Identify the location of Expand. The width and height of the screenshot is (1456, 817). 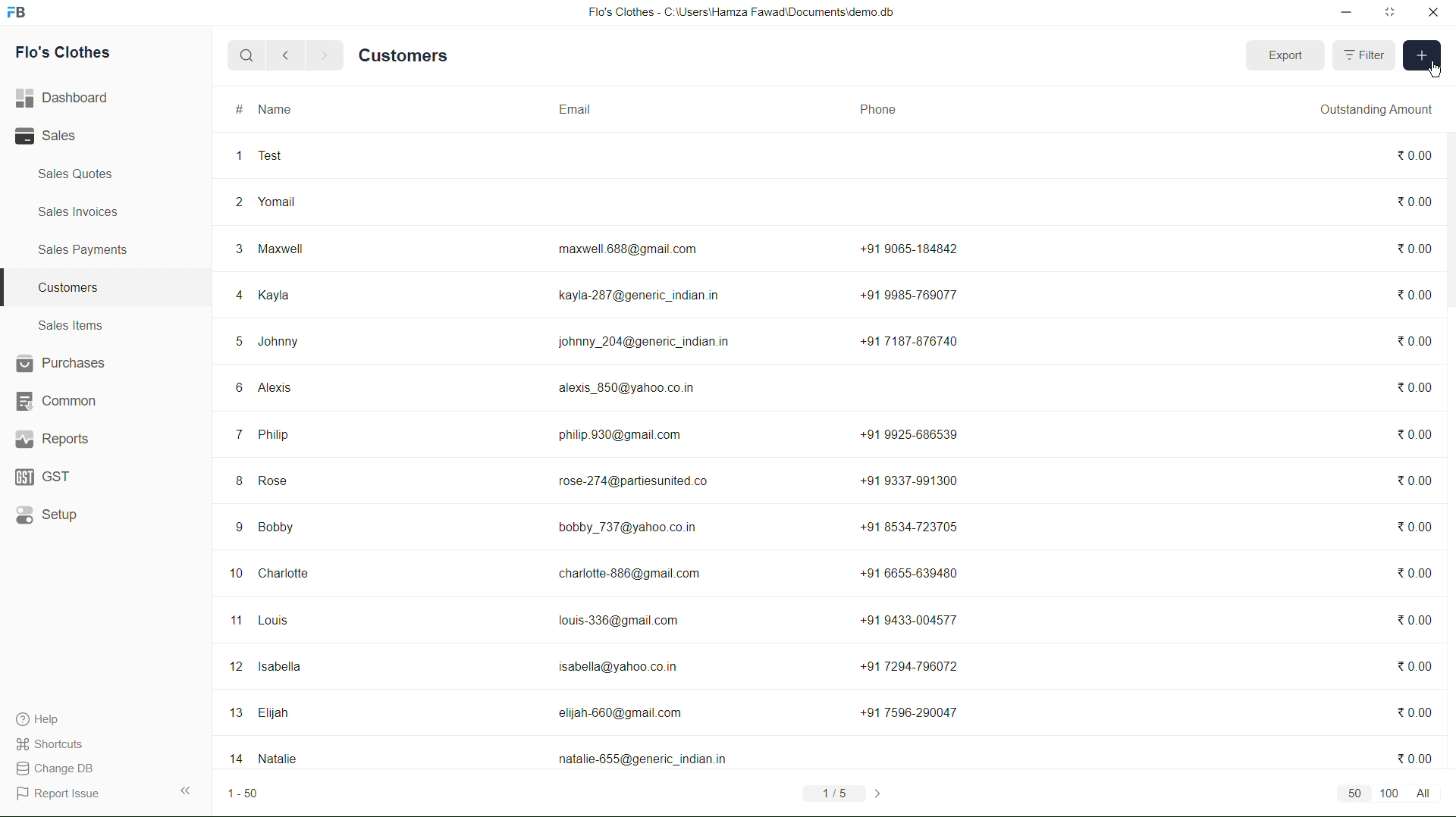
(187, 789).